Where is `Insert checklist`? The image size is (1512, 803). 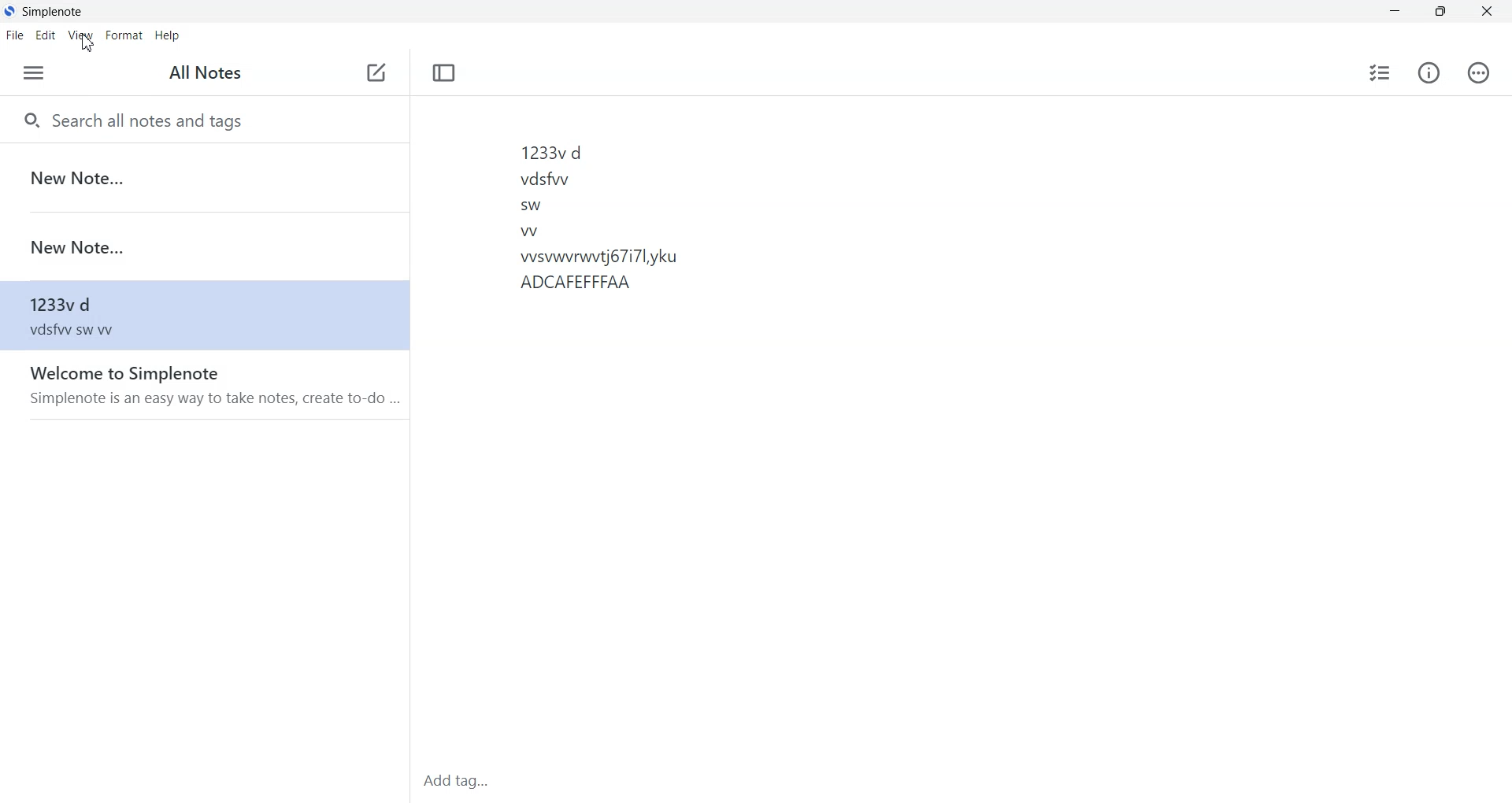 Insert checklist is located at coordinates (1380, 72).